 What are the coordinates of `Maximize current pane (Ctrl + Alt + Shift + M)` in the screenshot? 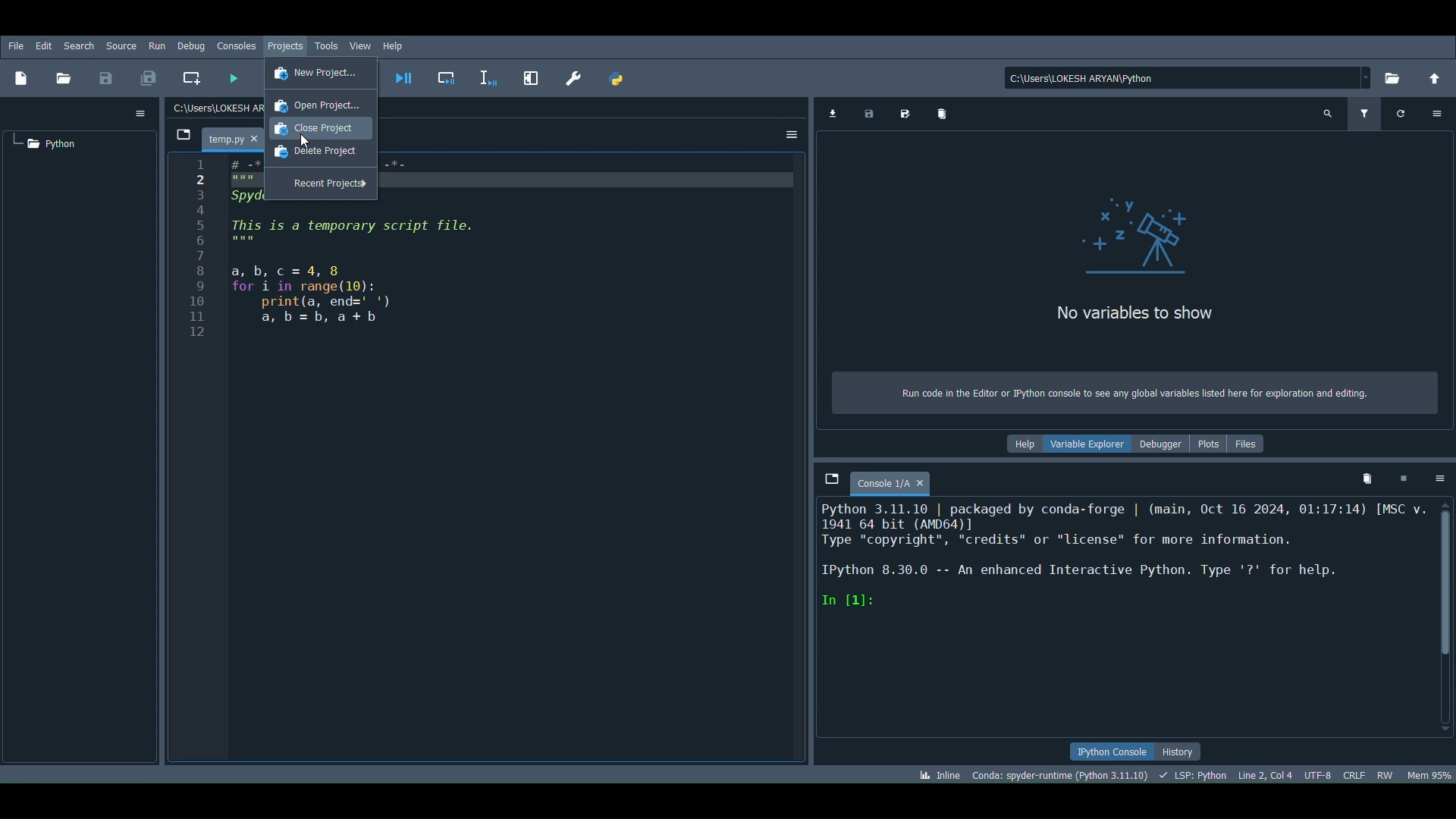 It's located at (529, 76).